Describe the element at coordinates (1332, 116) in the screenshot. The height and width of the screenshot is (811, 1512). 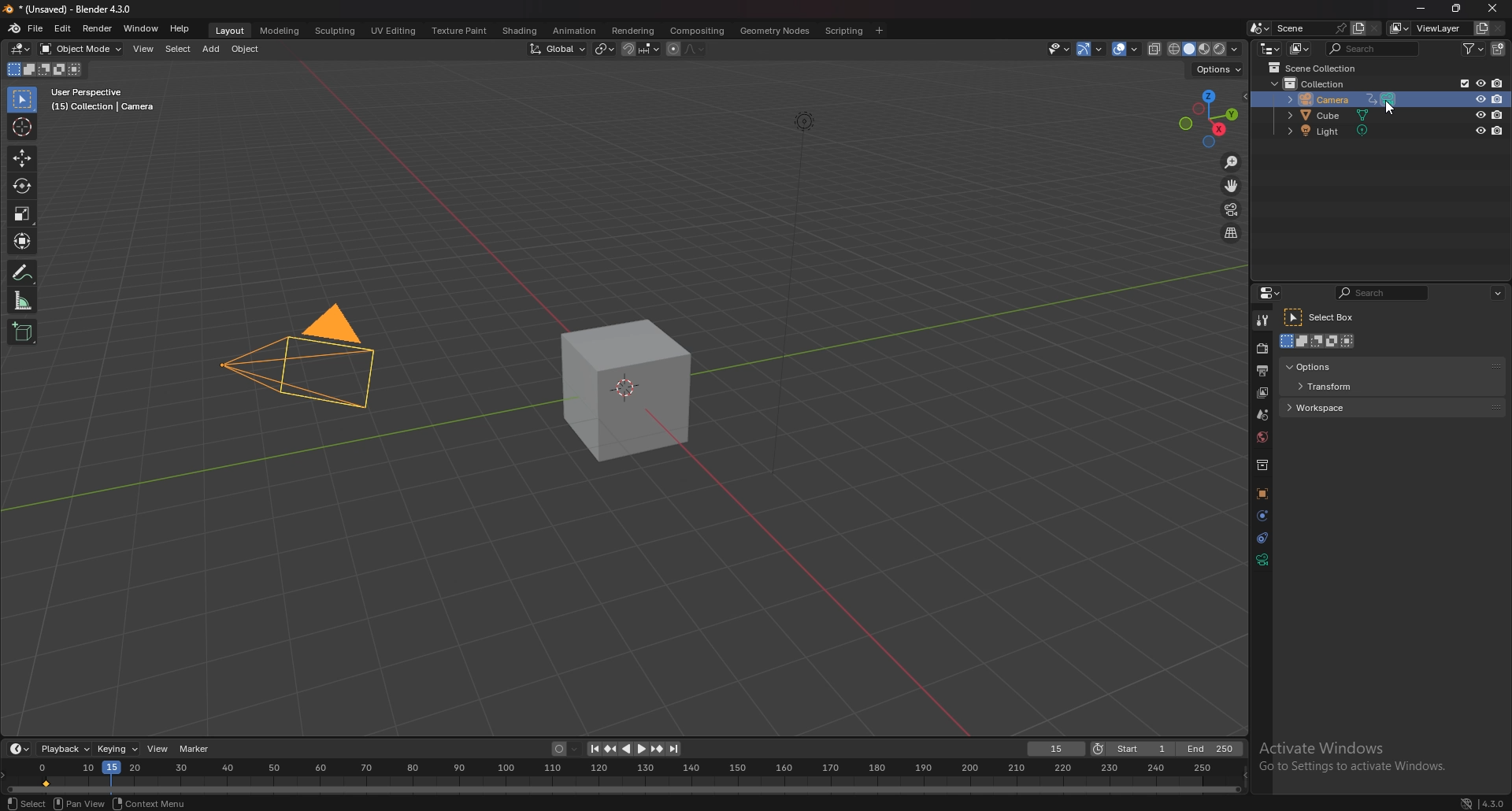
I see `cube` at that location.